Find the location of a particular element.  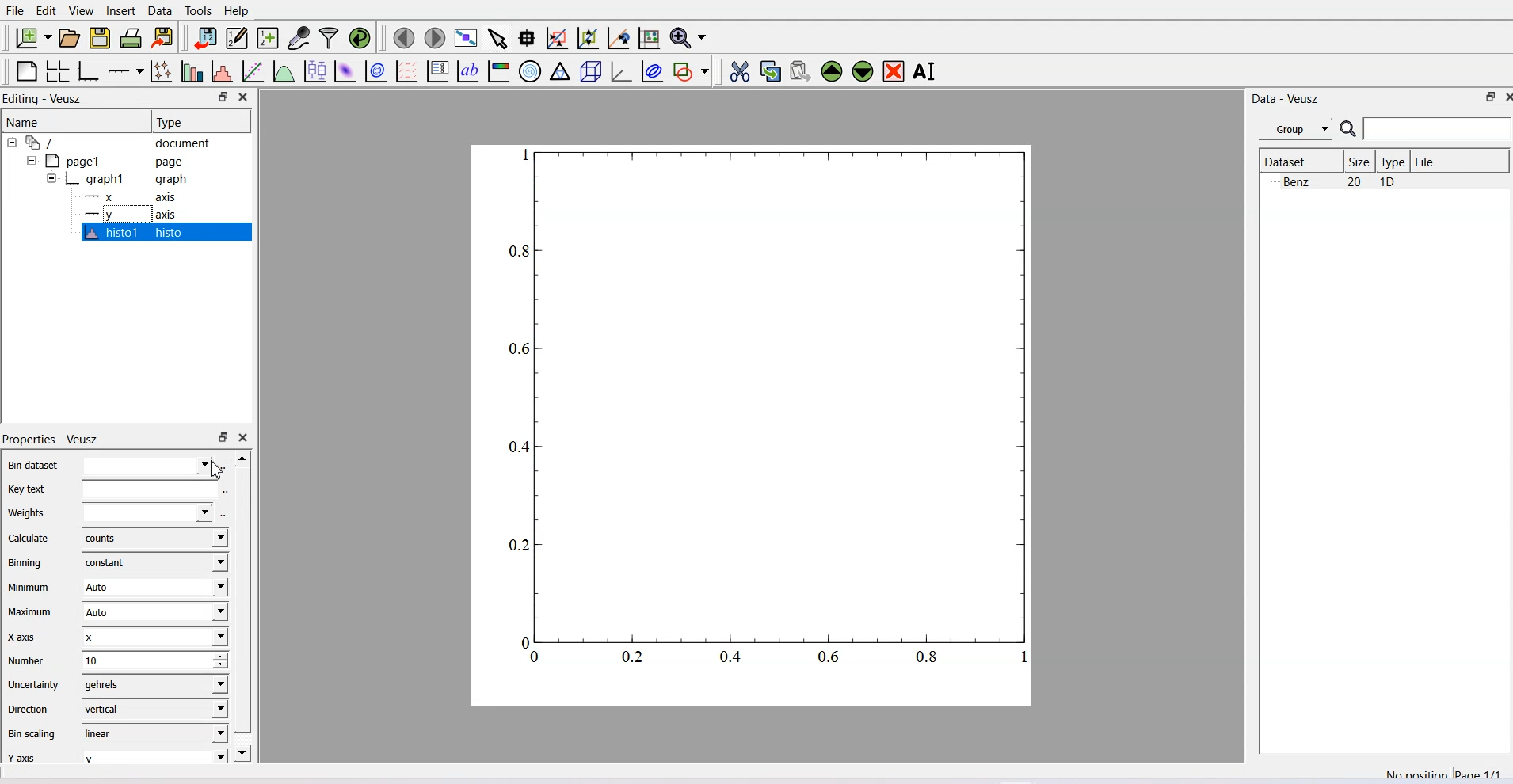

Plot box plots is located at coordinates (315, 70).